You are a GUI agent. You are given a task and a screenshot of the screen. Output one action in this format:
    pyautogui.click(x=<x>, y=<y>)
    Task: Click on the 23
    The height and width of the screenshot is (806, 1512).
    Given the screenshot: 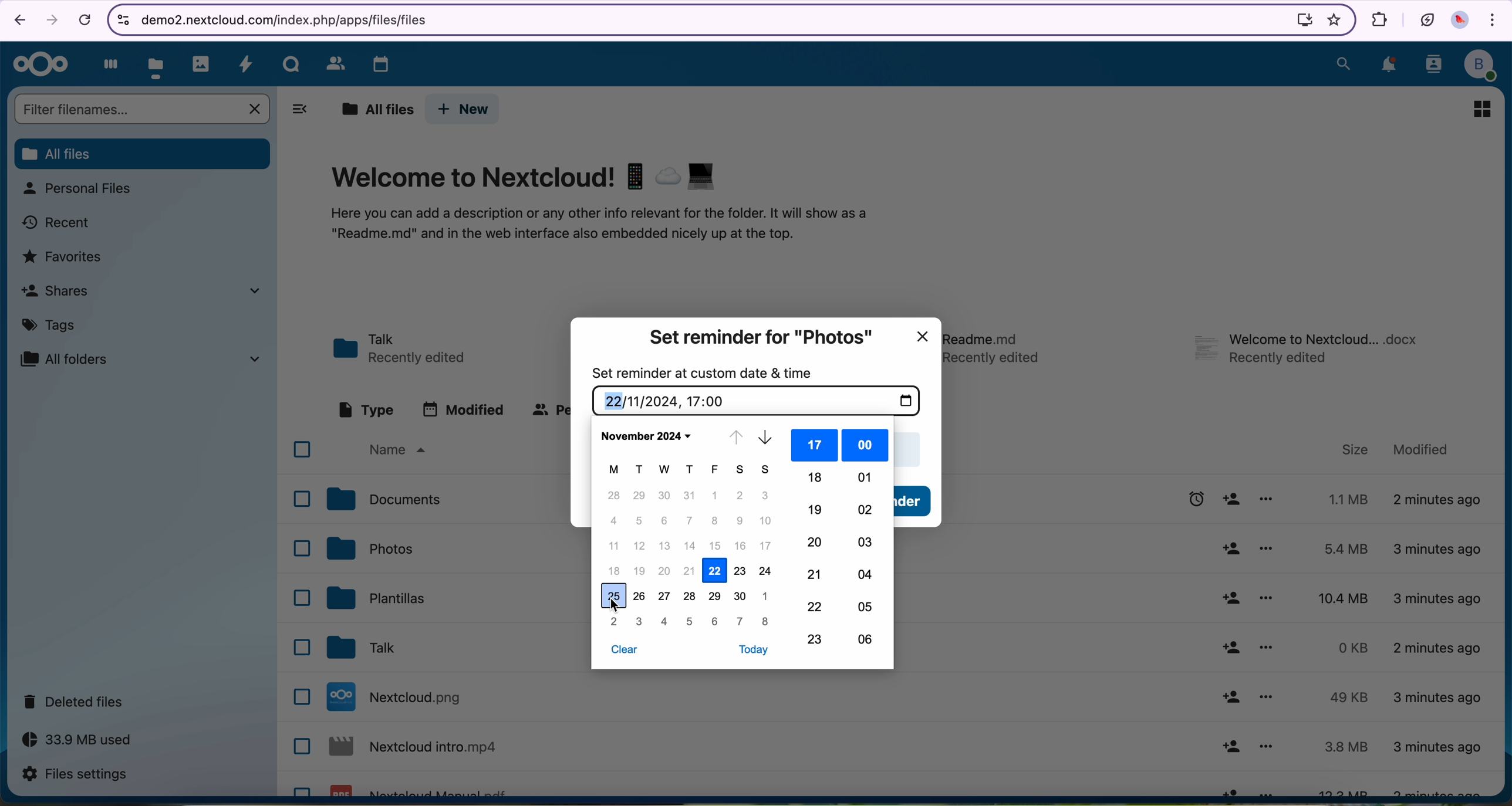 What is the action you would take?
    pyautogui.click(x=740, y=574)
    